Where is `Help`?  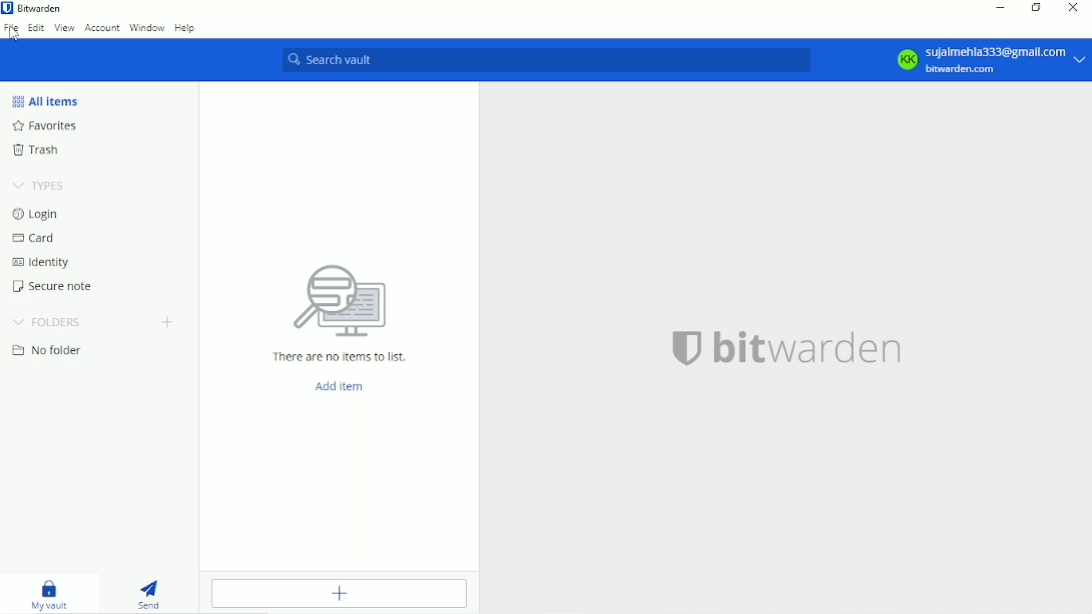
Help is located at coordinates (186, 27).